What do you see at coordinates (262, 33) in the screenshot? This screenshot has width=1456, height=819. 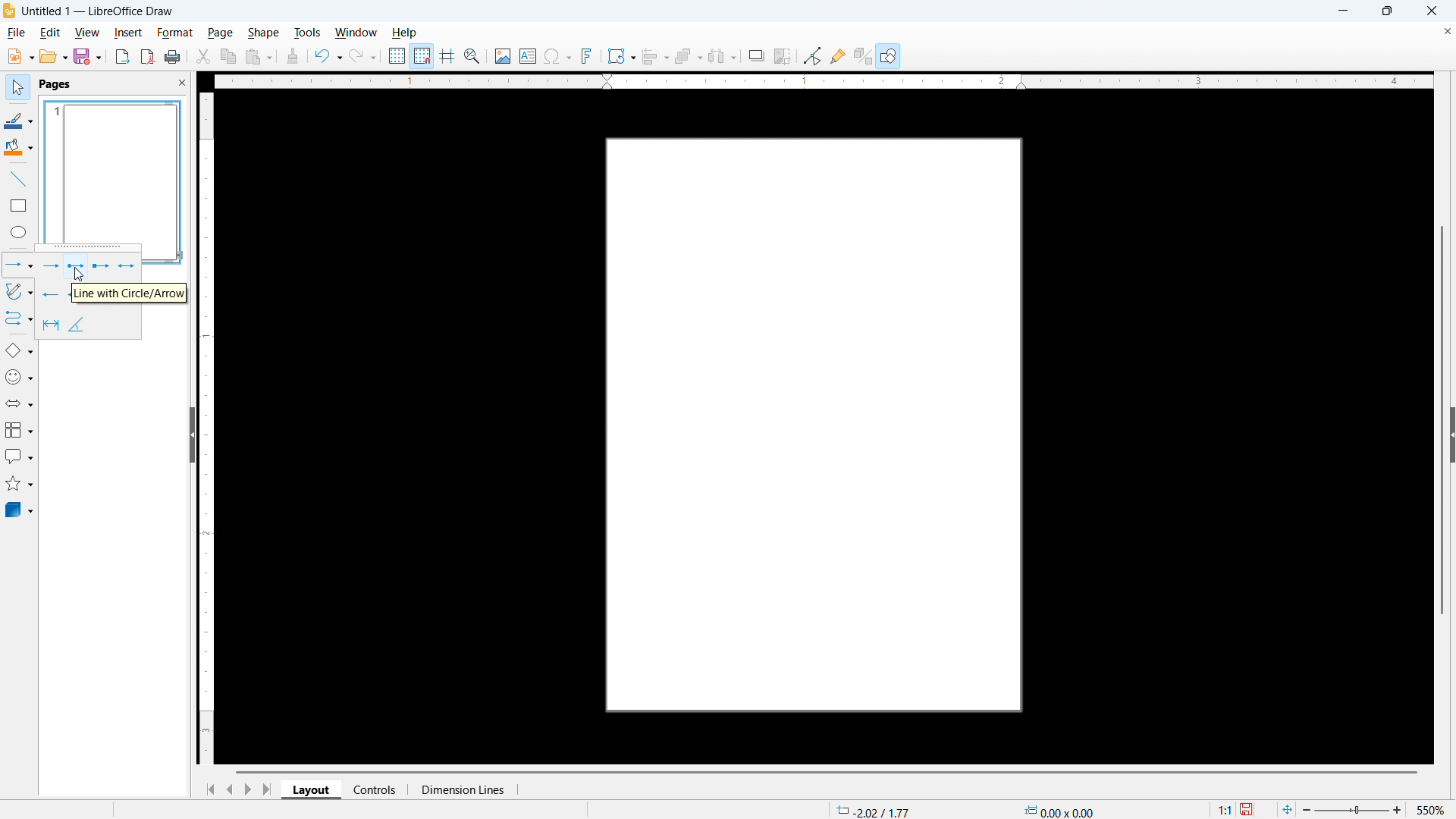 I see `Shape ` at bounding box center [262, 33].